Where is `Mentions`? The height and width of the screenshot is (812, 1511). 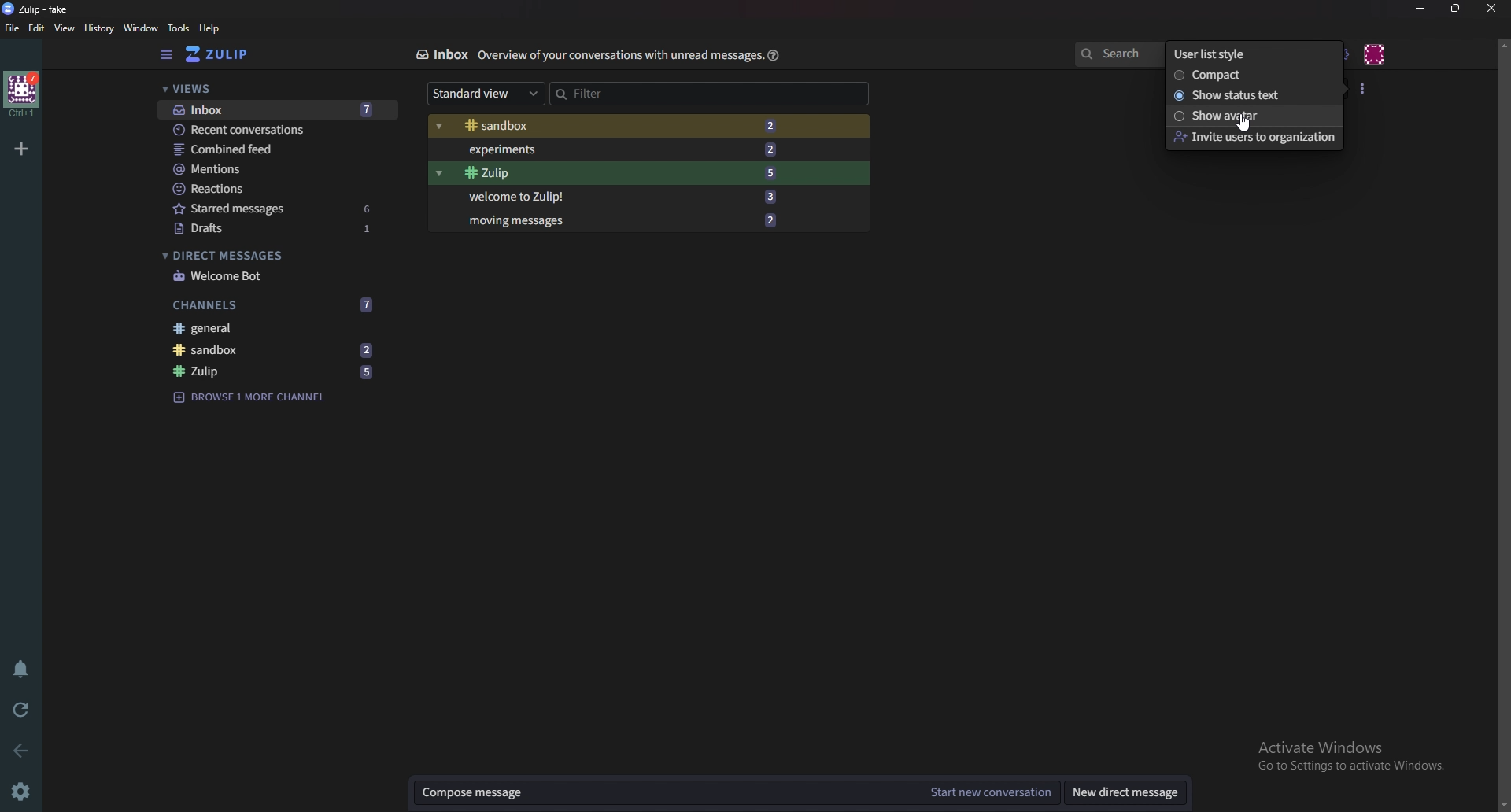 Mentions is located at coordinates (279, 168).